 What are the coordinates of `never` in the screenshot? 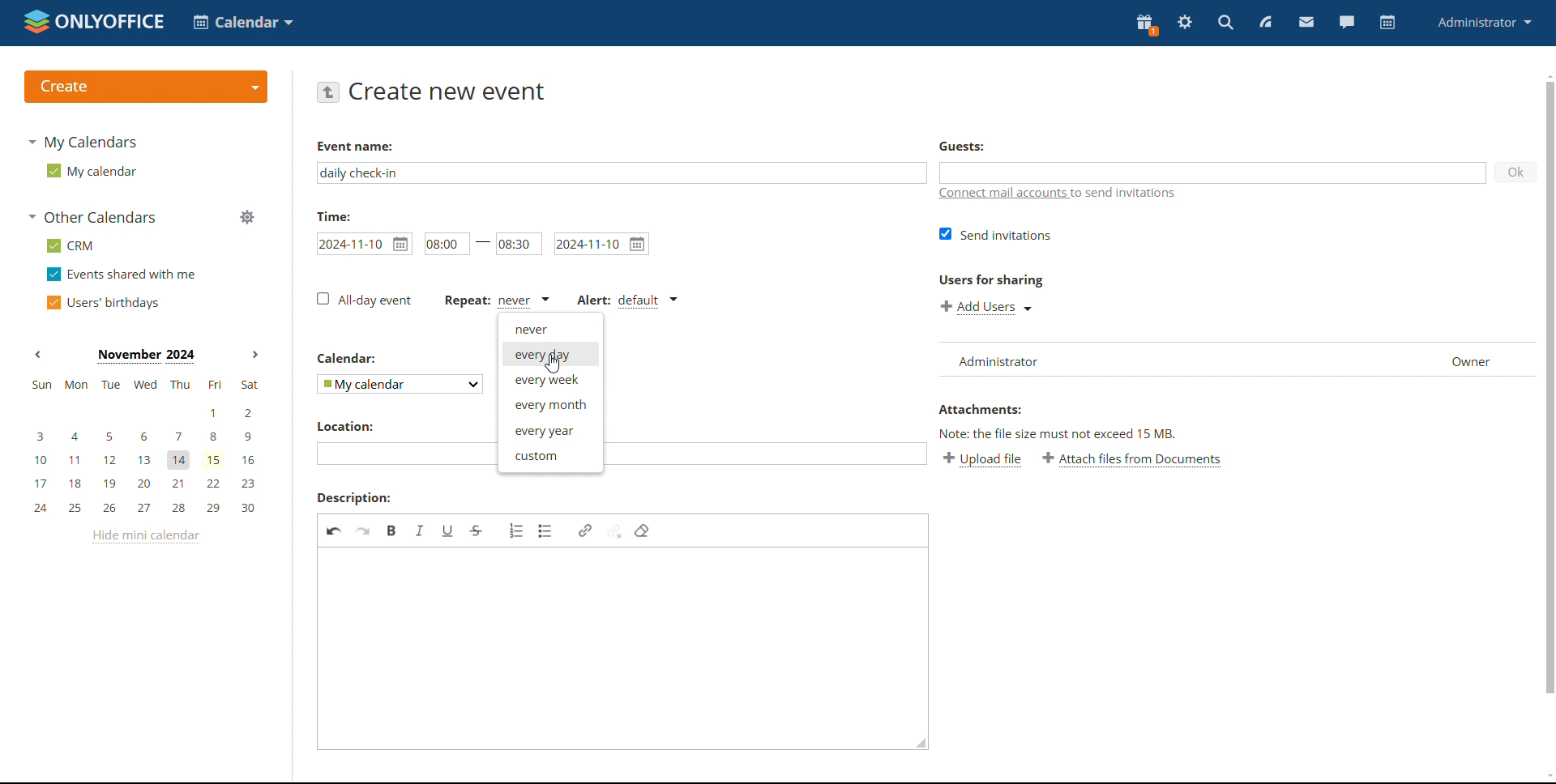 It's located at (552, 330).